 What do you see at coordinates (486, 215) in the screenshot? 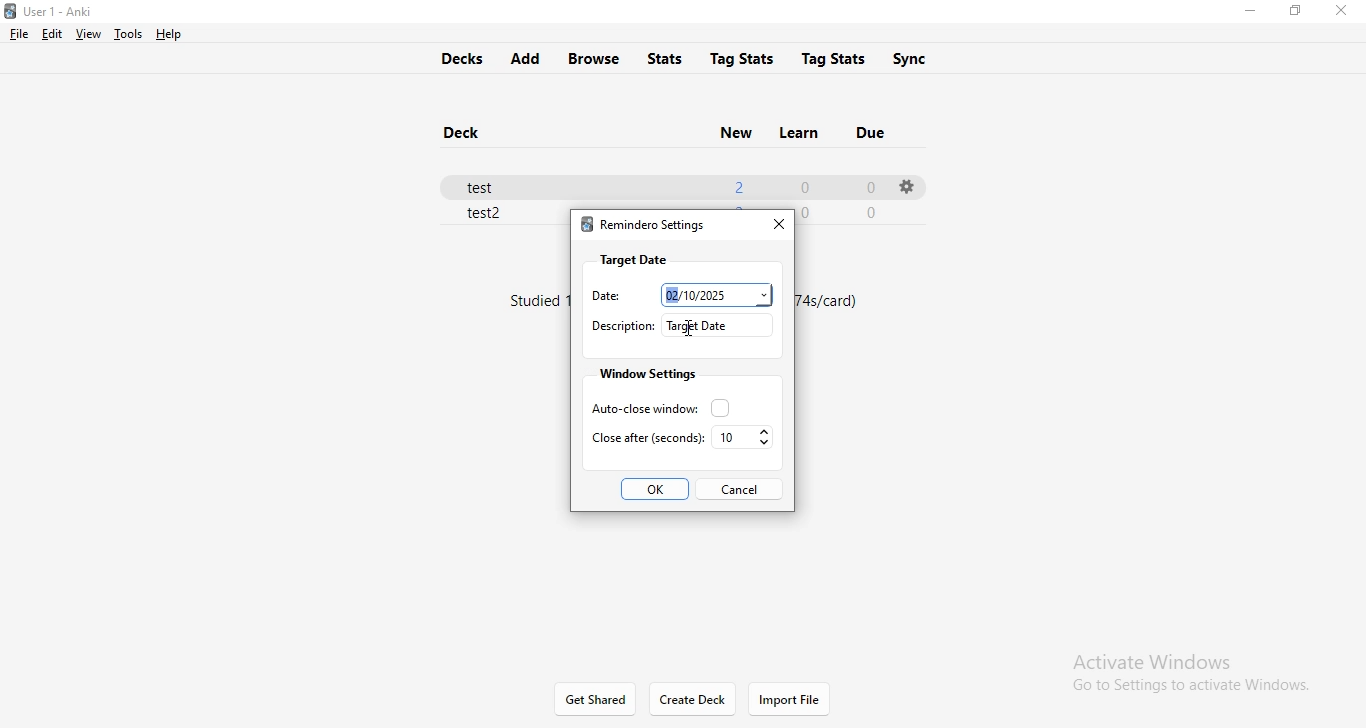
I see `test 2` at bounding box center [486, 215].